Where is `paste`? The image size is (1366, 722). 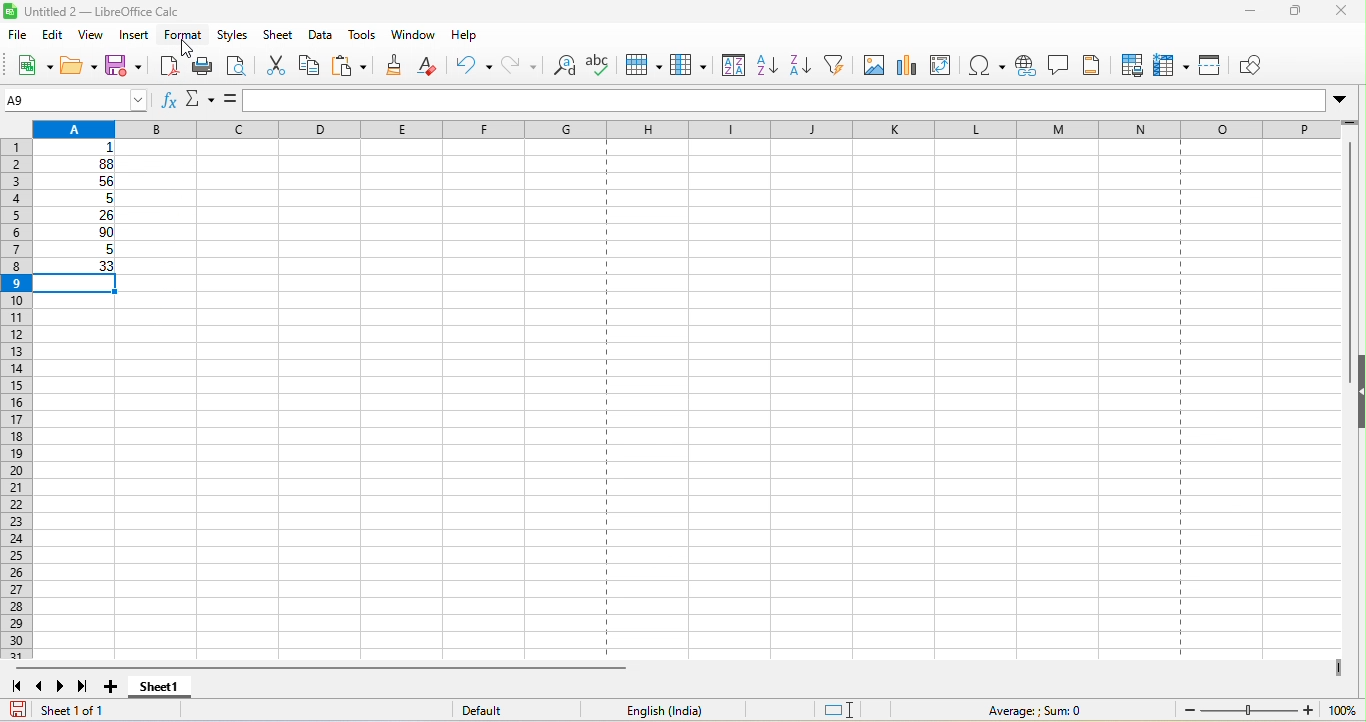 paste is located at coordinates (353, 67).